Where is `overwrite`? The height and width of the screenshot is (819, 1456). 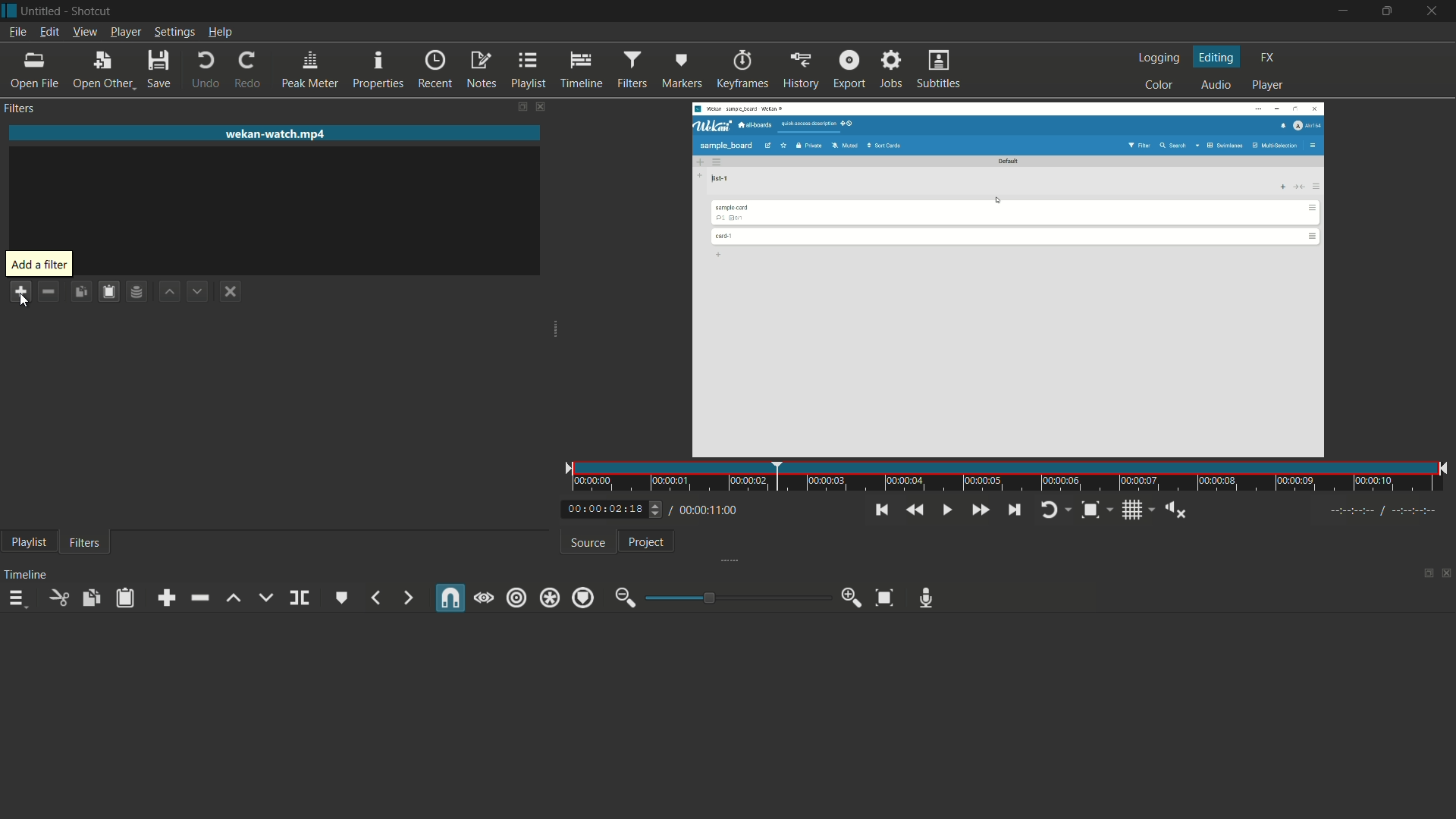 overwrite is located at coordinates (265, 597).